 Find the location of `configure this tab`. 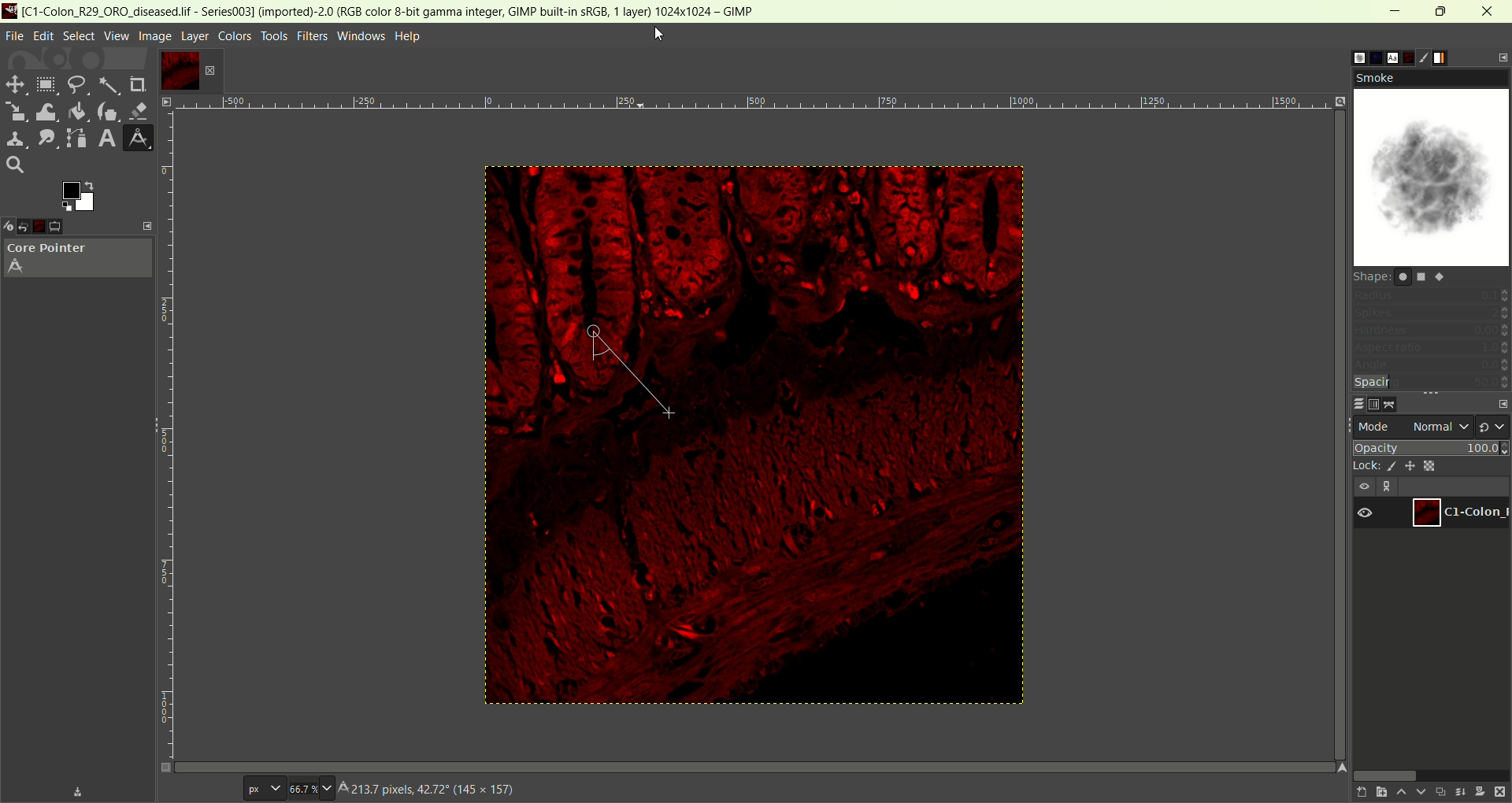

configure this tab is located at coordinates (148, 225).